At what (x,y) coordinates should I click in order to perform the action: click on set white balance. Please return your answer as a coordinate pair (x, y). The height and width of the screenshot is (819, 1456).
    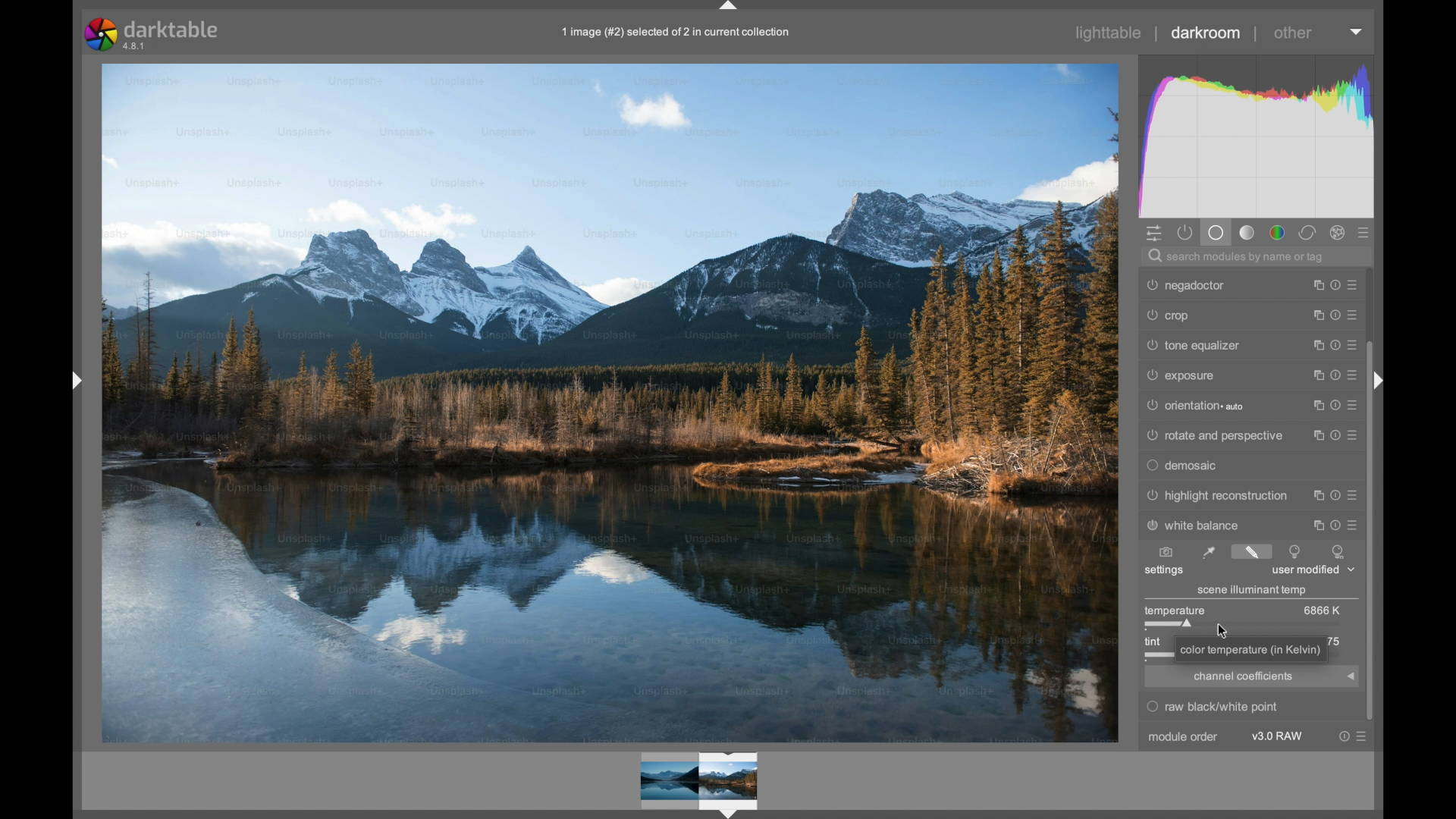
    Looking at the image, I should click on (1297, 552).